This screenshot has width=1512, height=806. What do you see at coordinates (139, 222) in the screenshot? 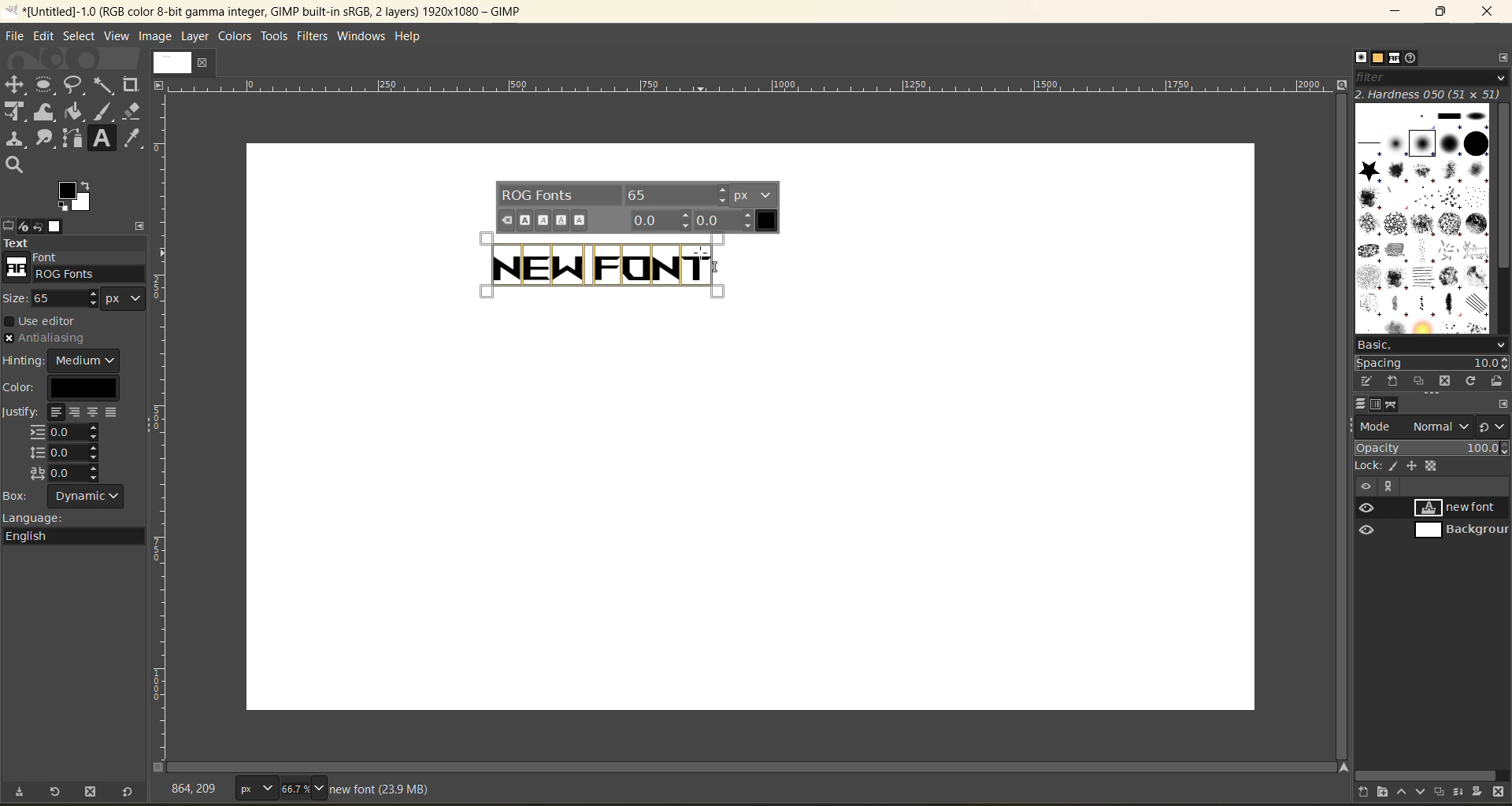
I see `configure` at bounding box center [139, 222].